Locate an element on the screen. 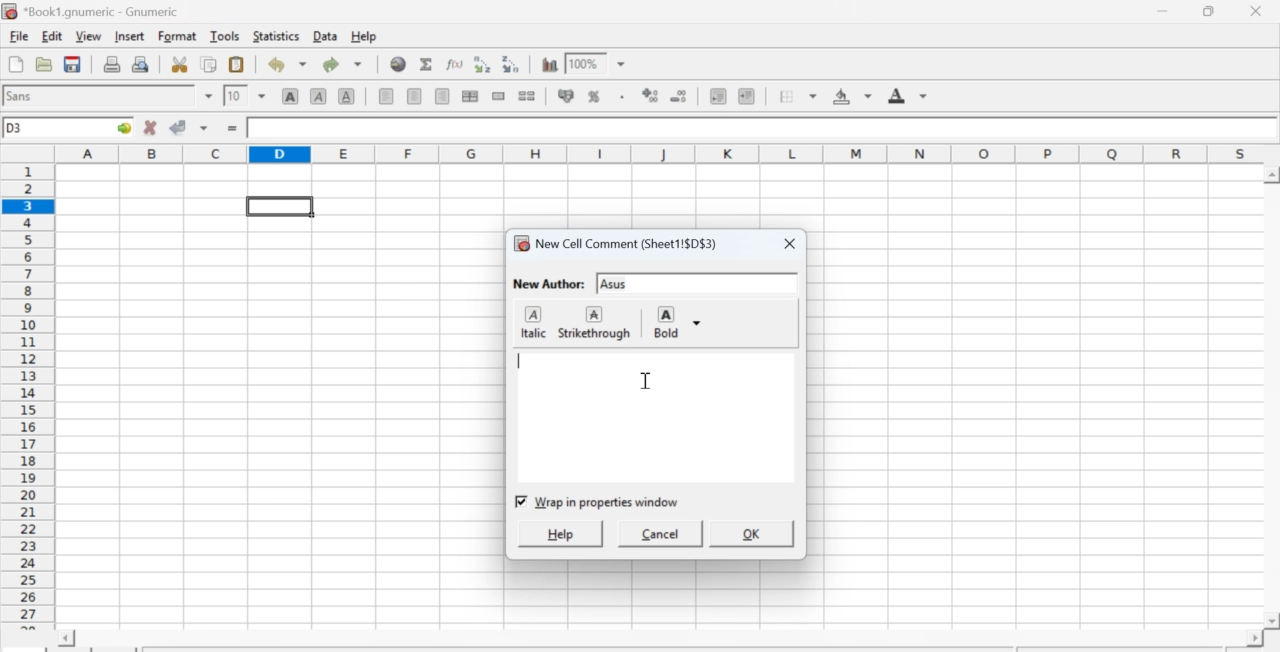  scroll up is located at coordinates (1272, 175).